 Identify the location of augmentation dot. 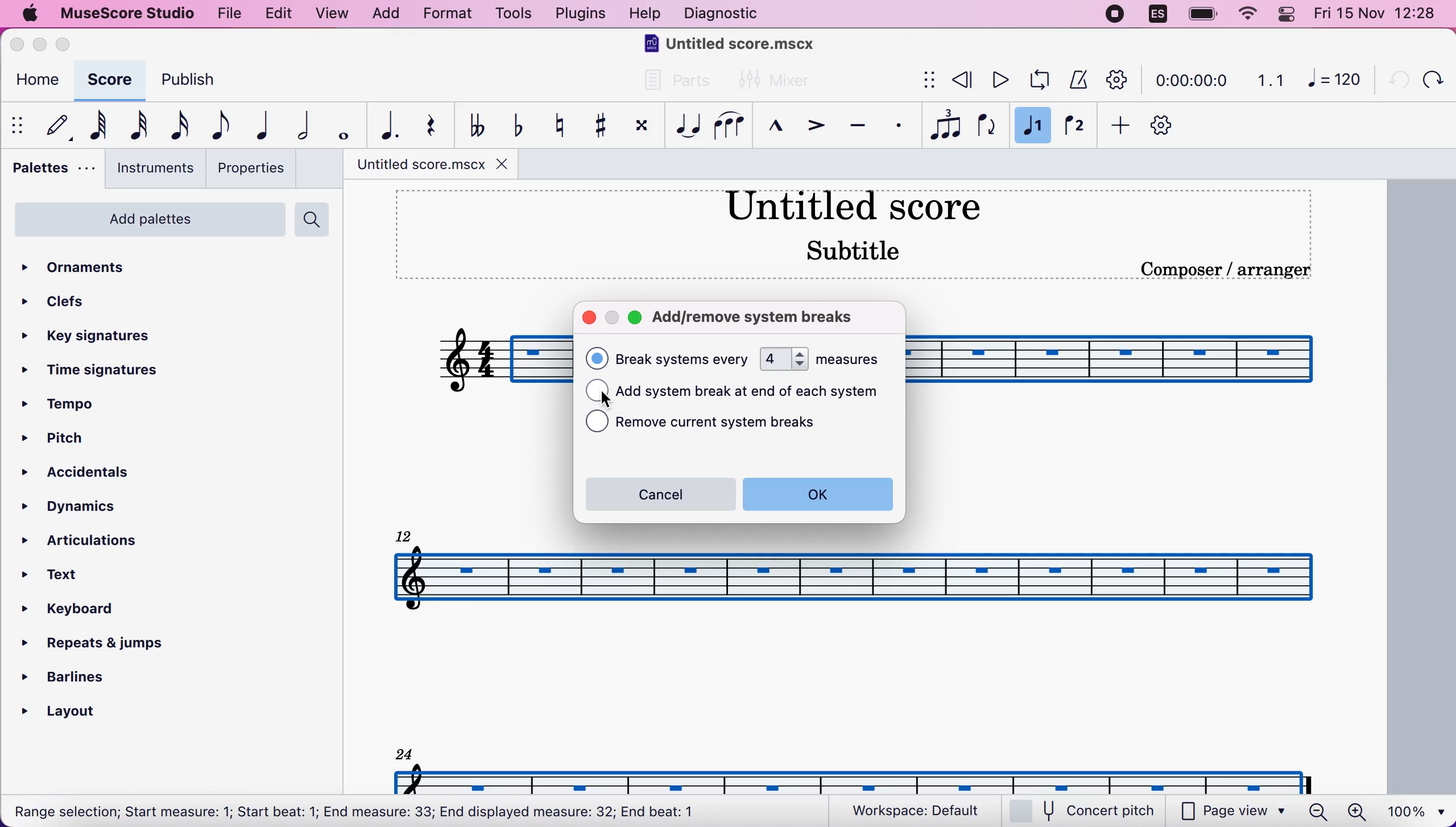
(383, 126).